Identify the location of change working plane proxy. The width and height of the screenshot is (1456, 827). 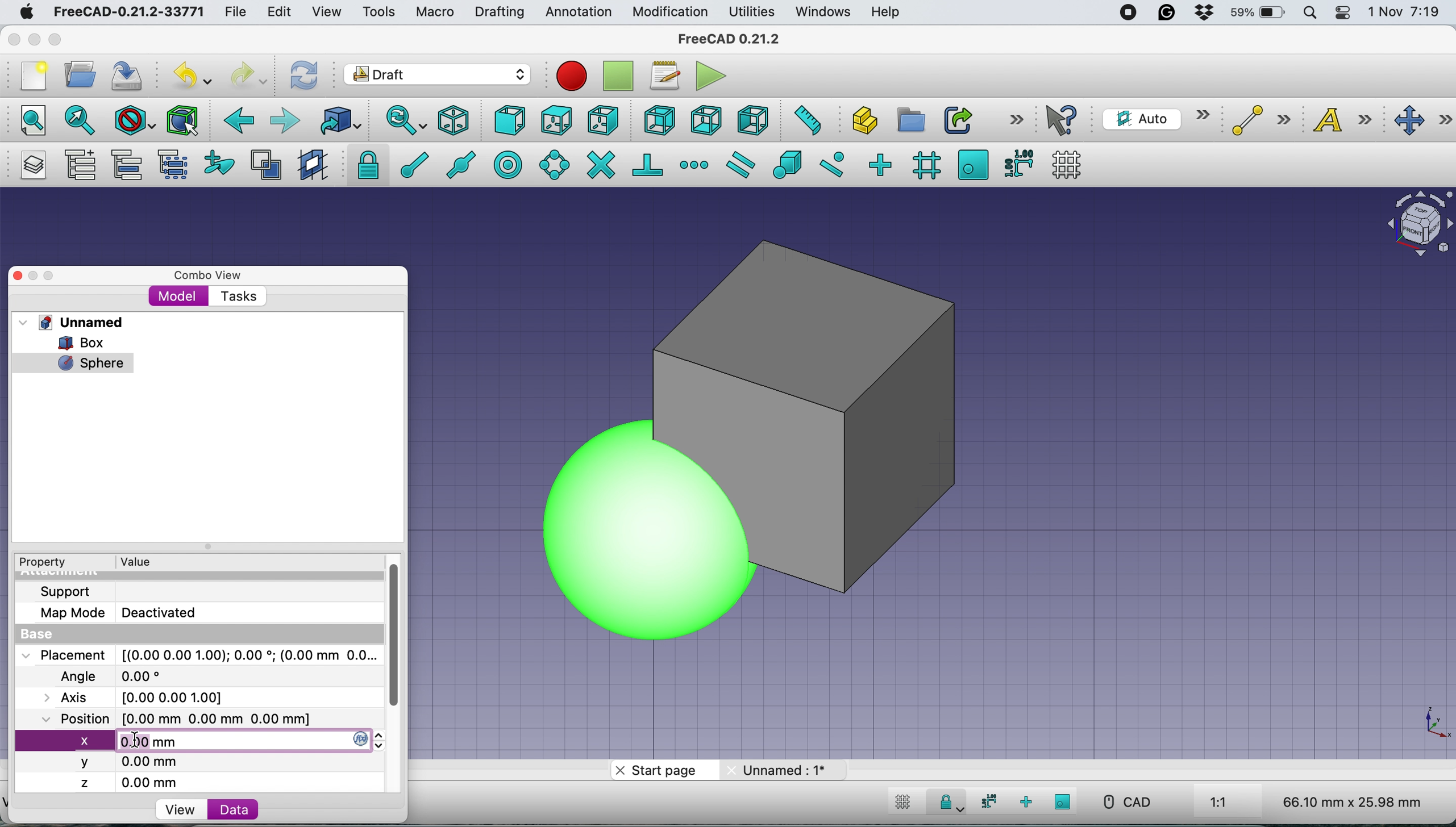
(311, 166).